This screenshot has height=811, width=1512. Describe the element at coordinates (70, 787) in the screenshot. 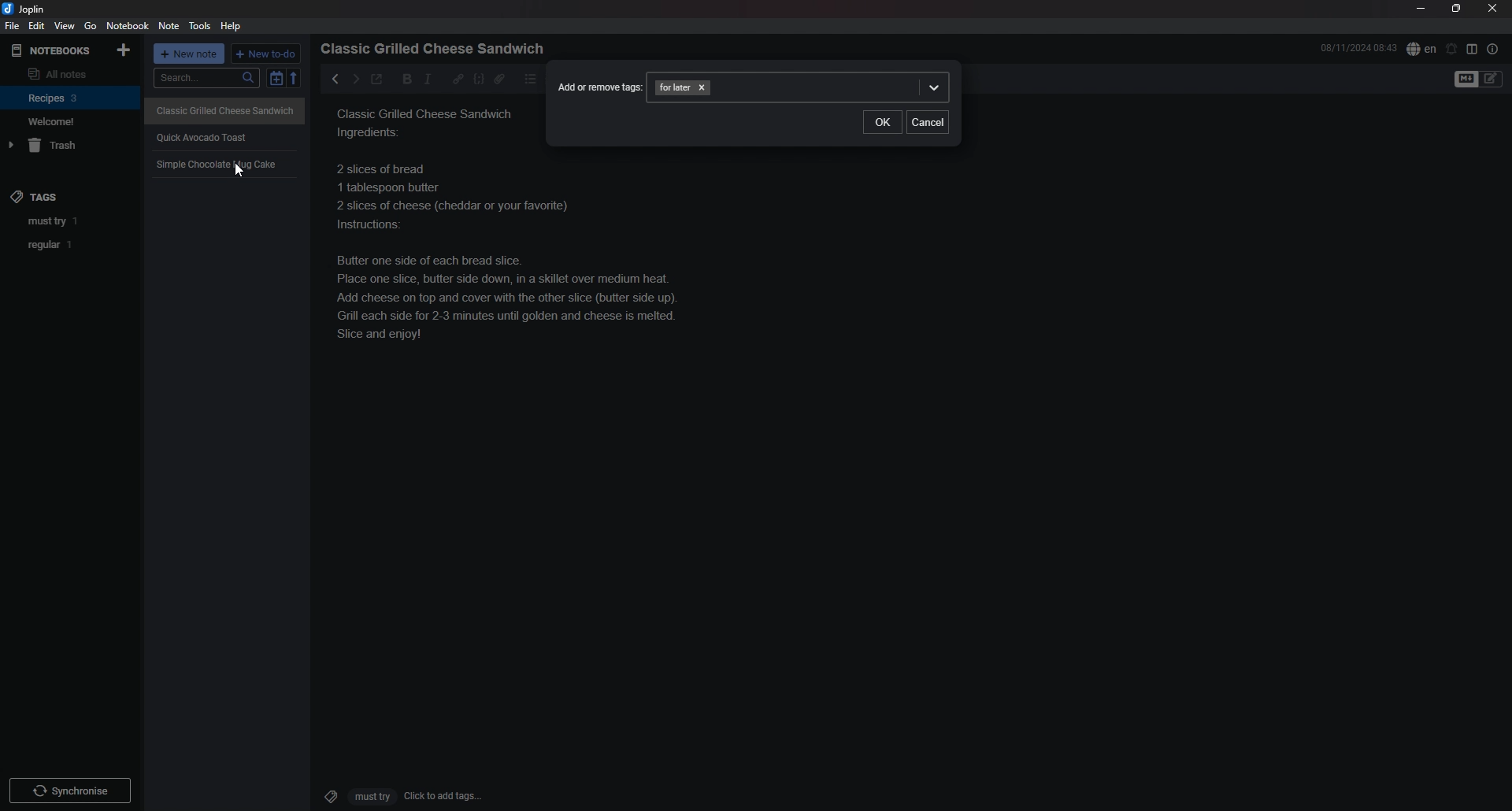

I see `` at that location.